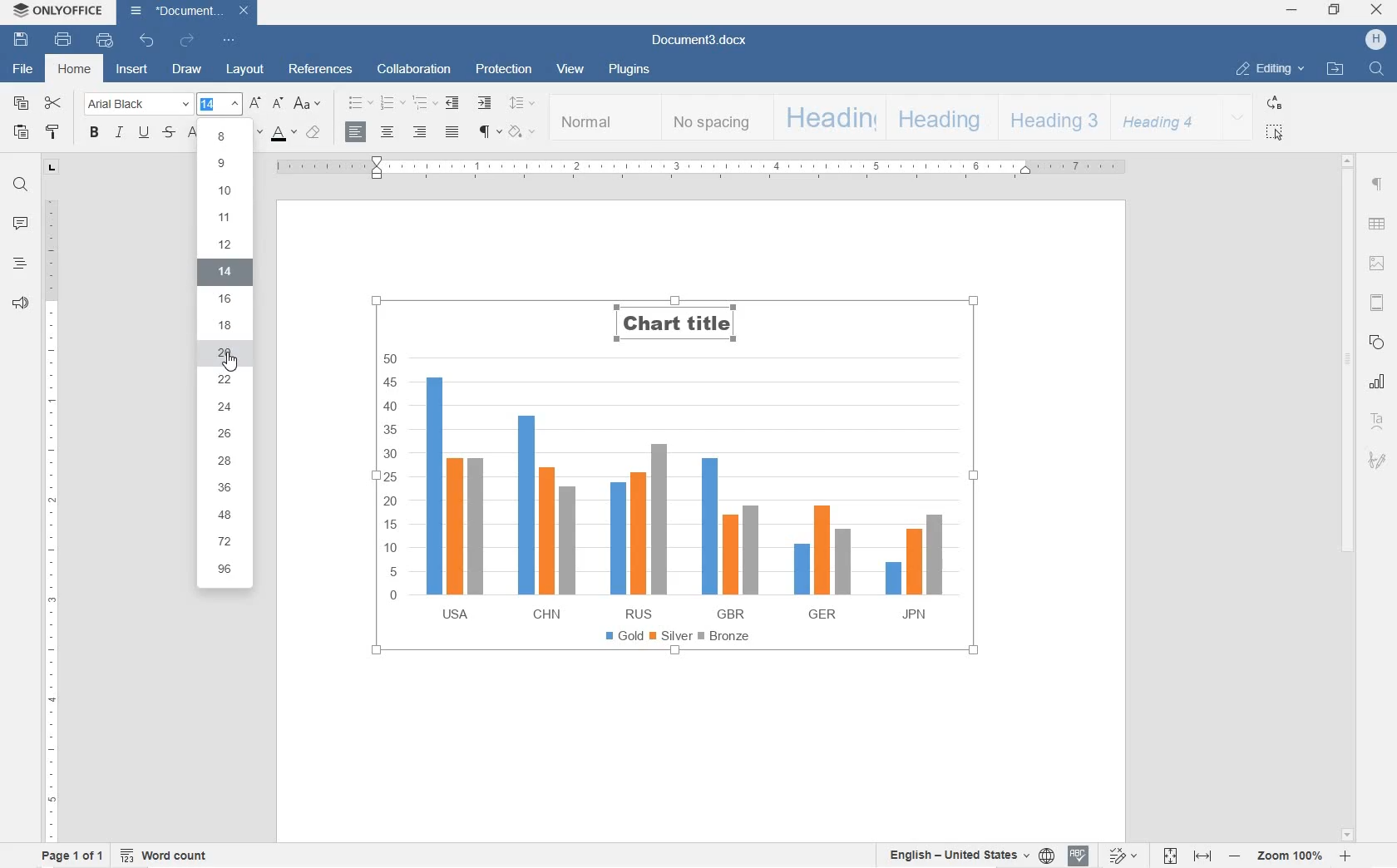  What do you see at coordinates (1051, 118) in the screenshot?
I see `HEADING 3` at bounding box center [1051, 118].